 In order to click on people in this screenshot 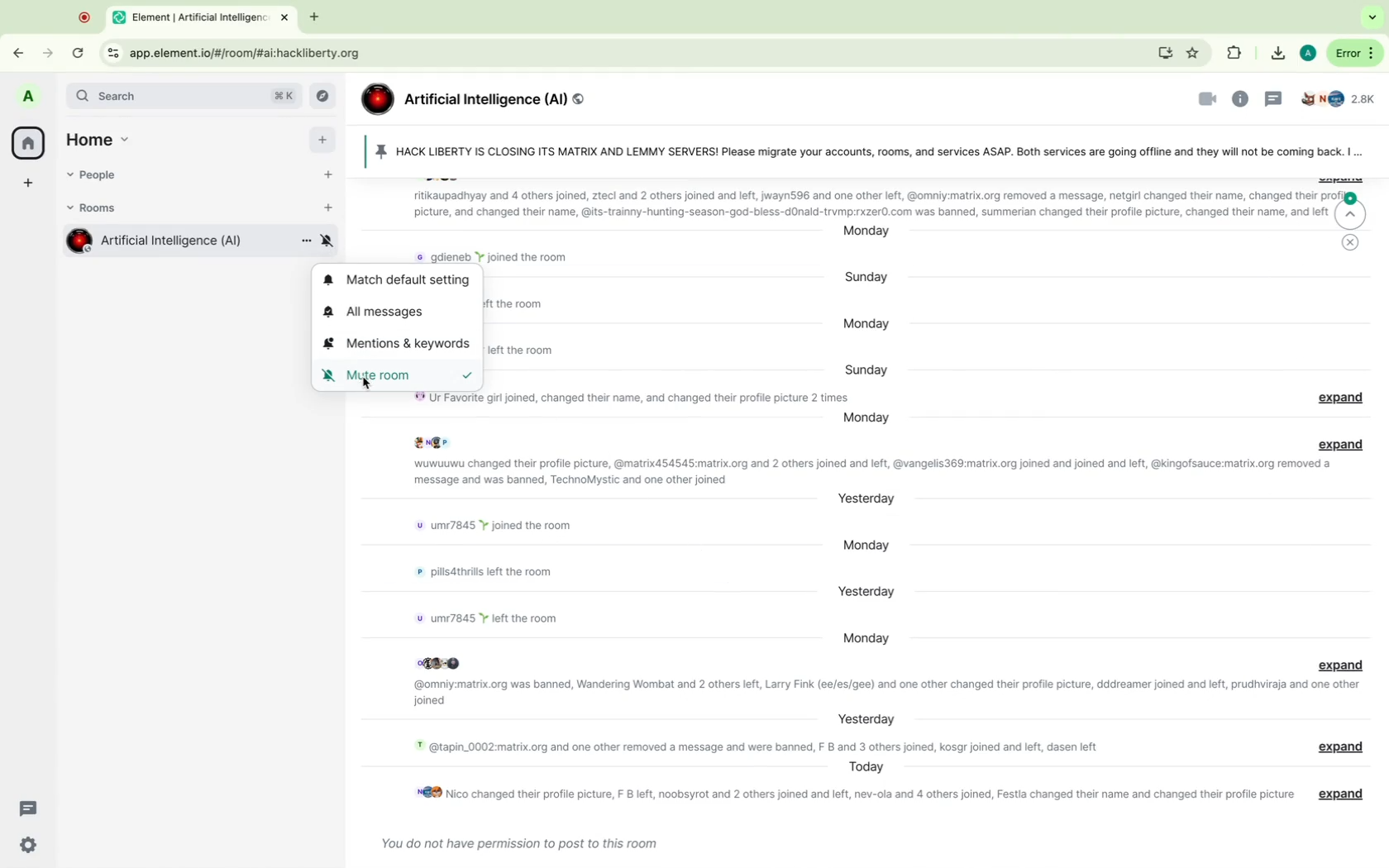, I will do `click(97, 175)`.